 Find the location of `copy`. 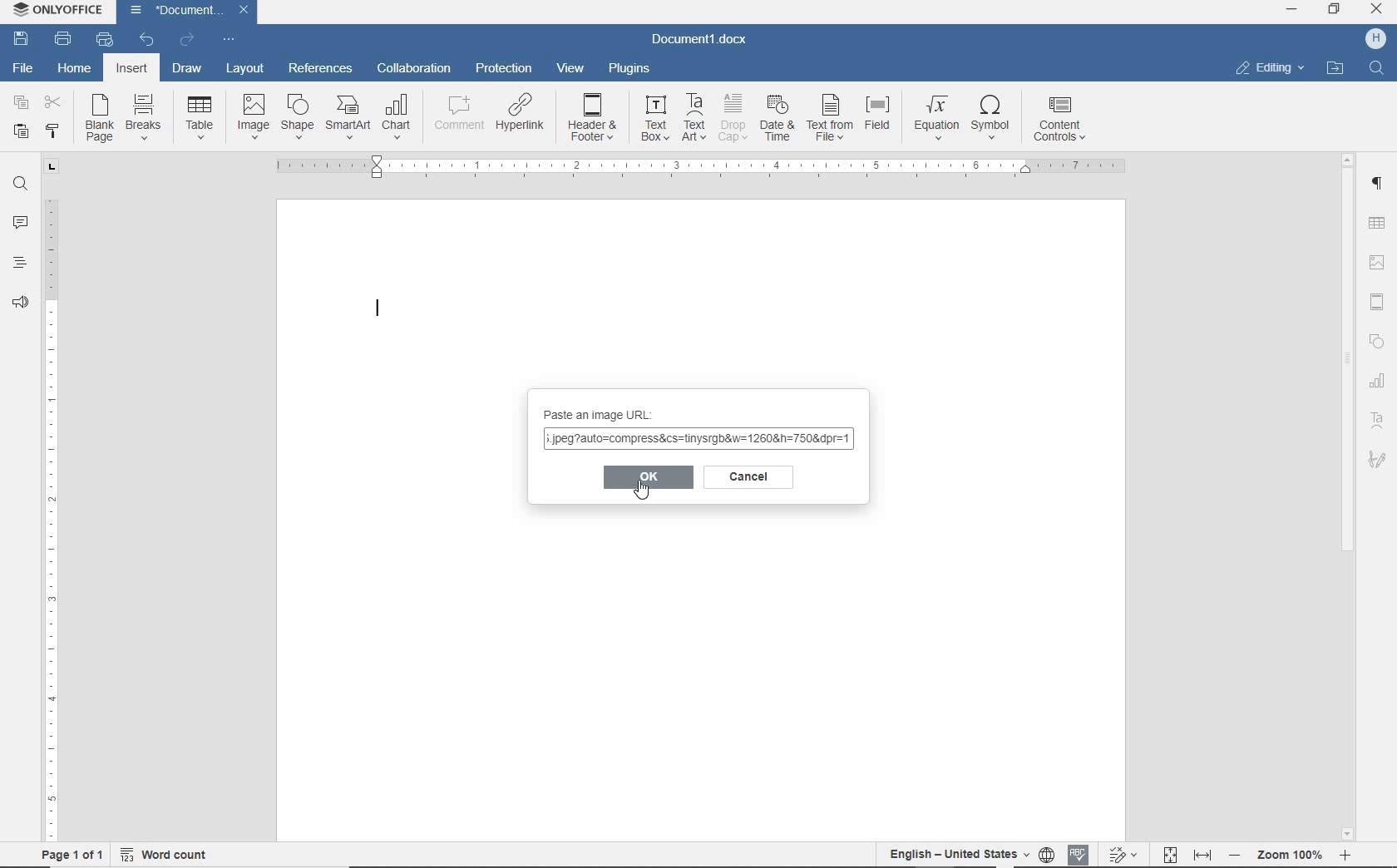

copy is located at coordinates (19, 104).